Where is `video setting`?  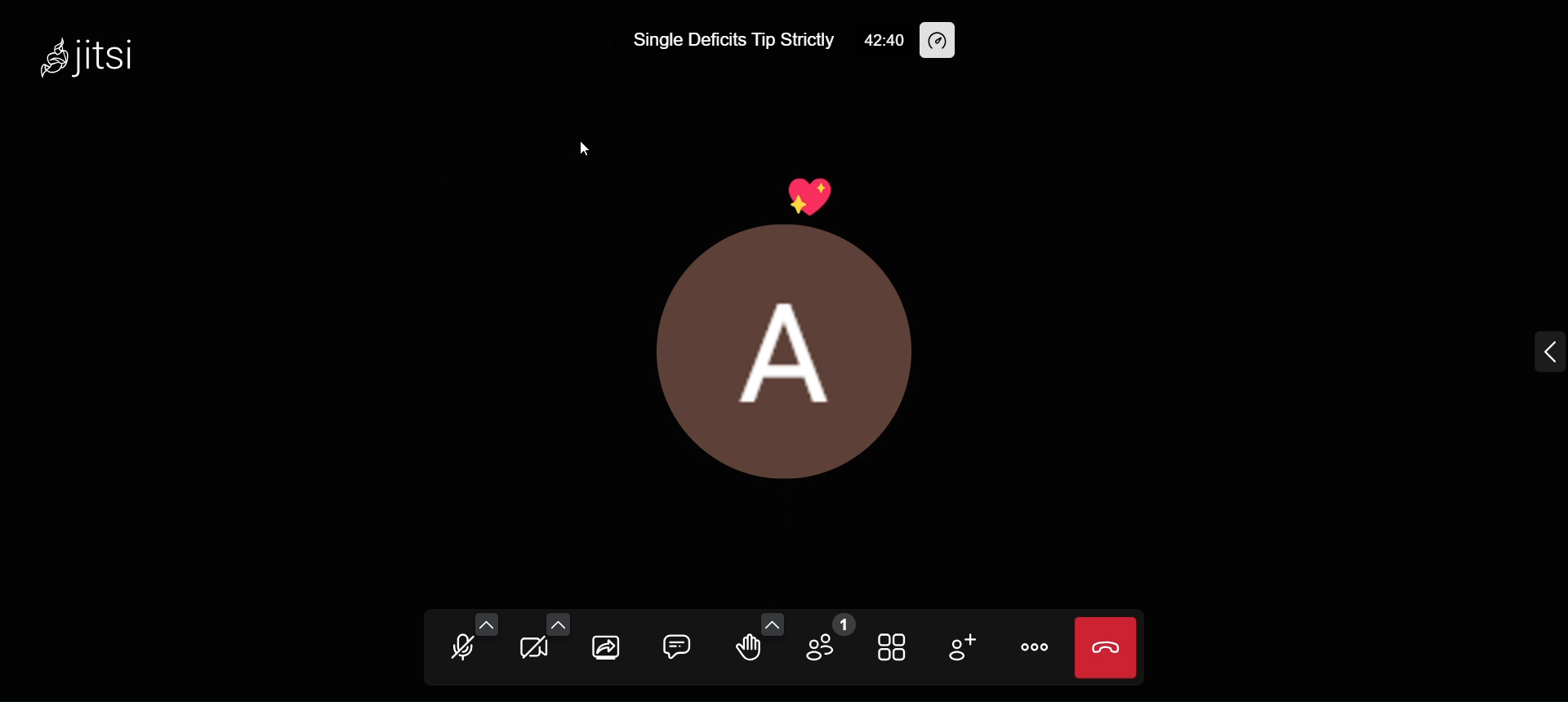
video setting is located at coordinates (561, 623).